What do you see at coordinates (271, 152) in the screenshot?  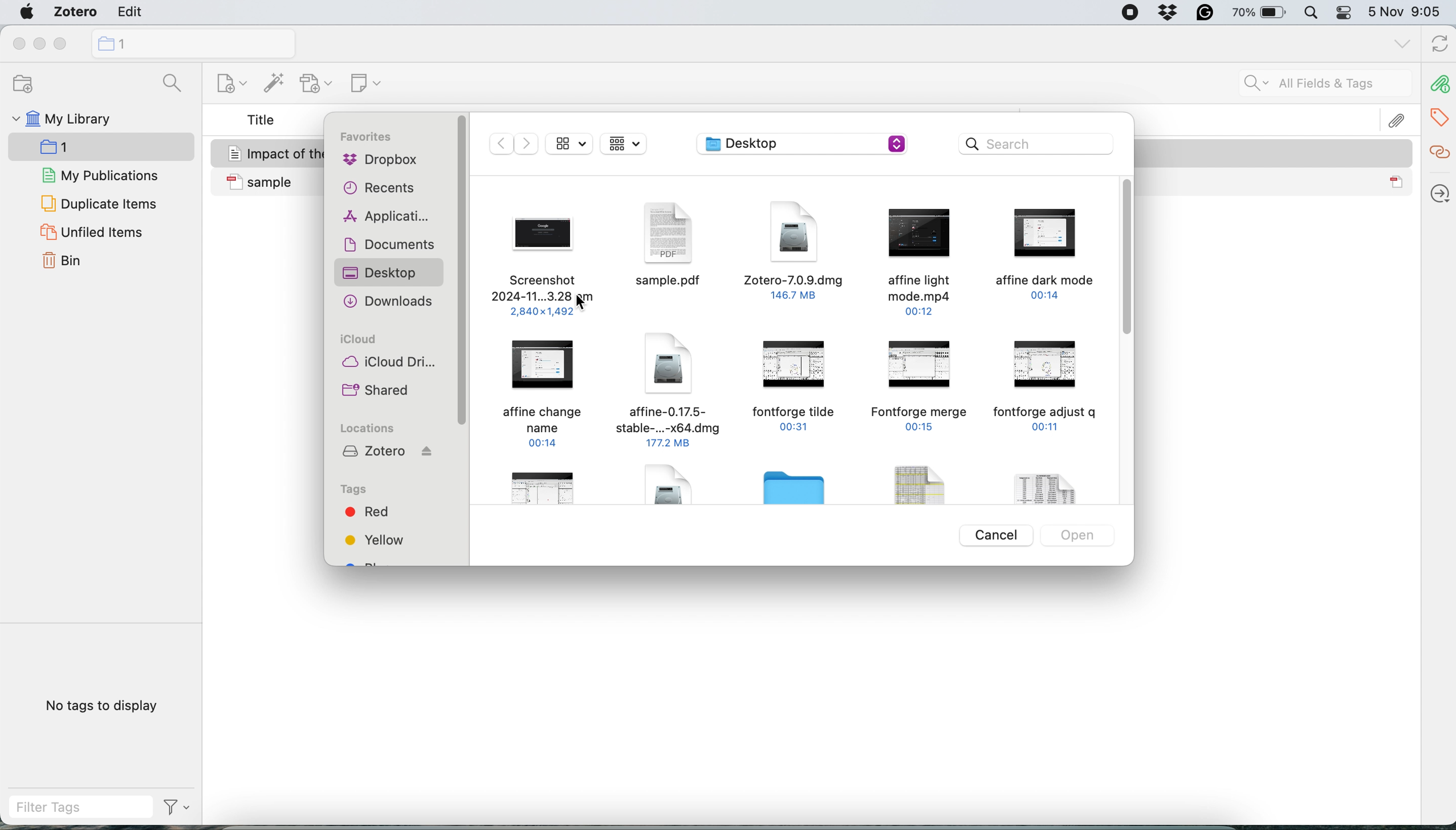 I see `Impact of the Information Technology on the Accounting System  Jasim and Raewf` at bounding box center [271, 152].